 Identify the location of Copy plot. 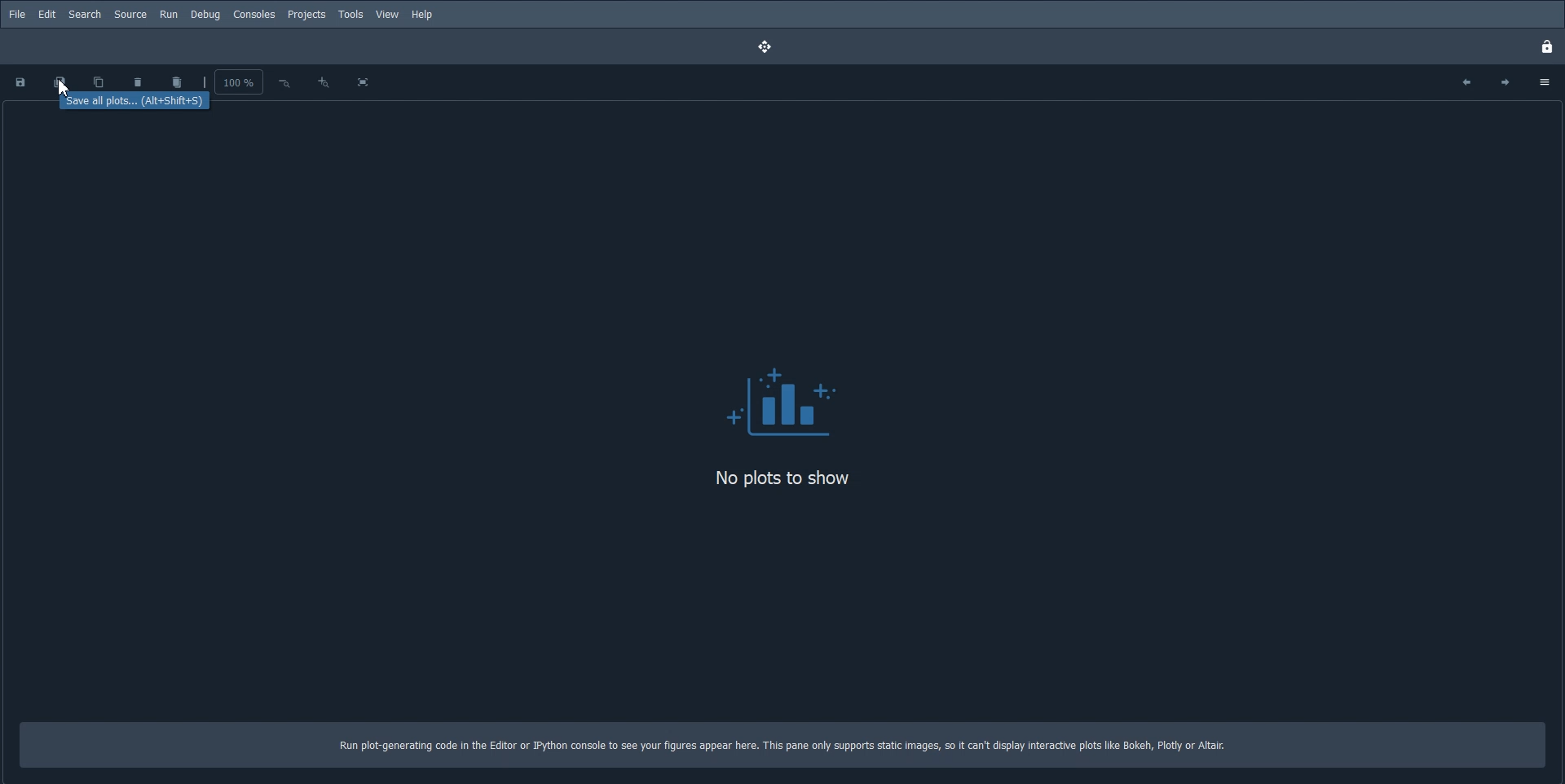
(100, 80).